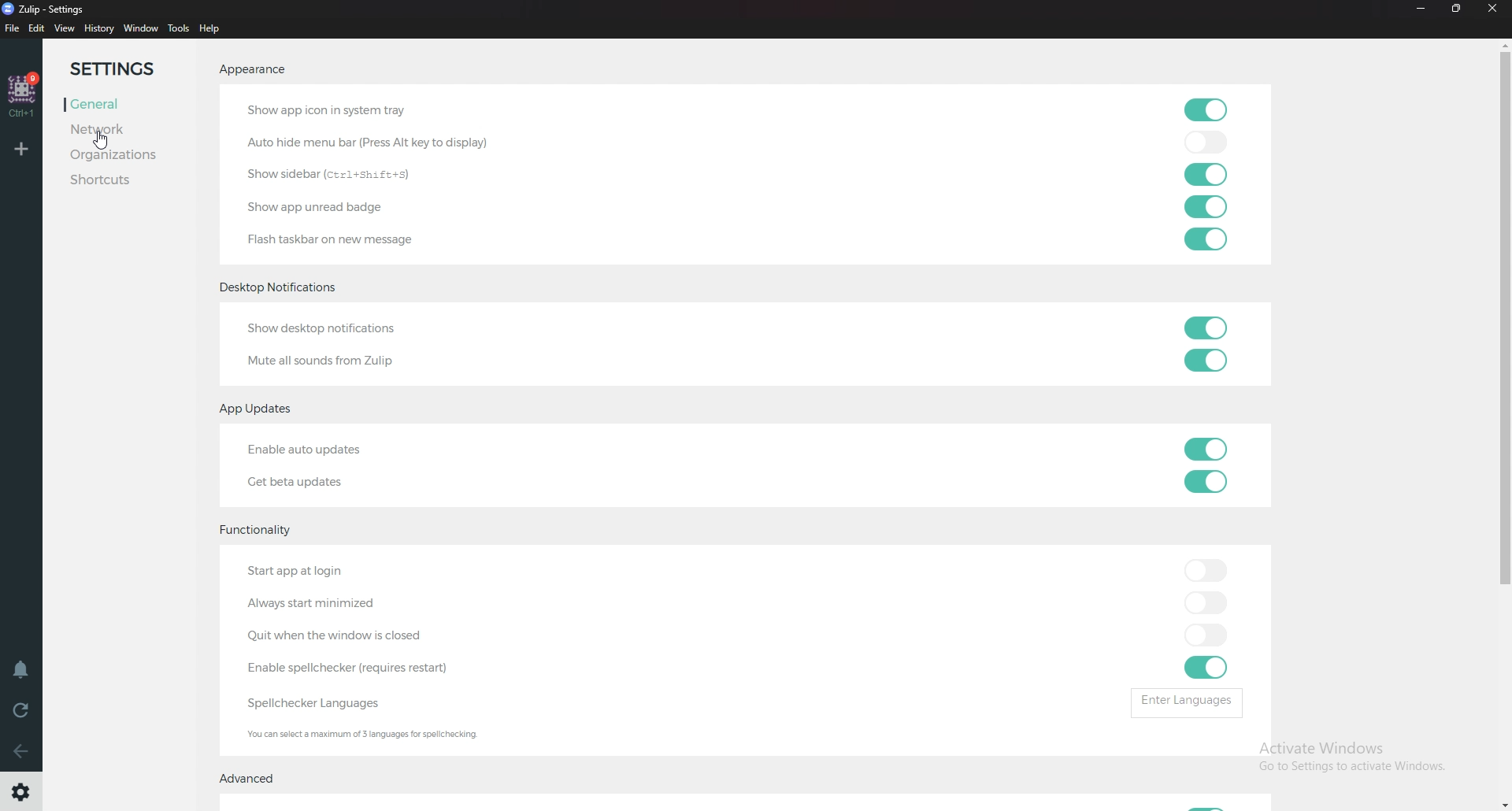  Describe the element at coordinates (1205, 450) in the screenshot. I see `toggle` at that location.